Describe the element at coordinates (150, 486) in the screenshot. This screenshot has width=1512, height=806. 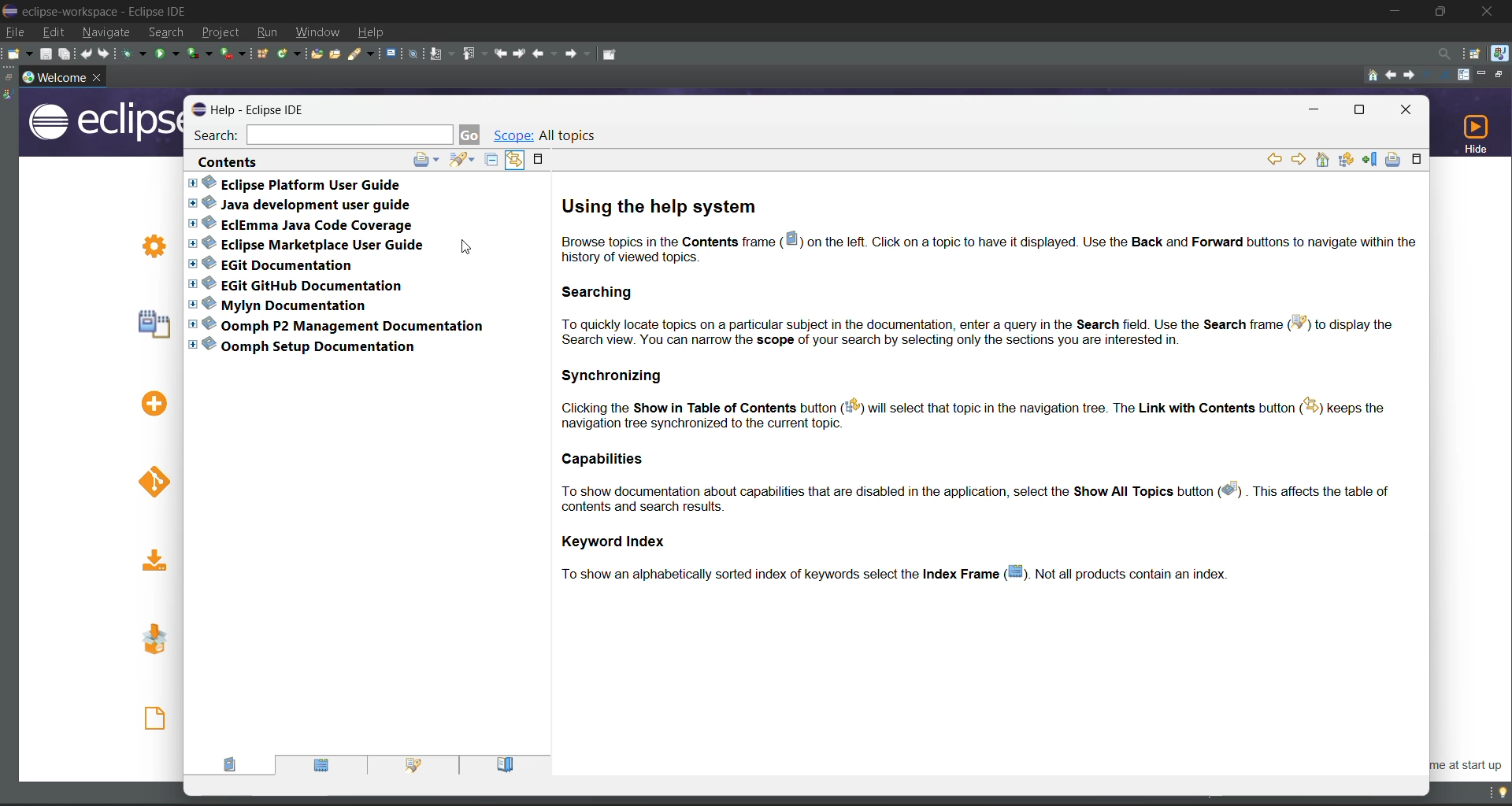
I see `checkout projects from GIT` at that location.